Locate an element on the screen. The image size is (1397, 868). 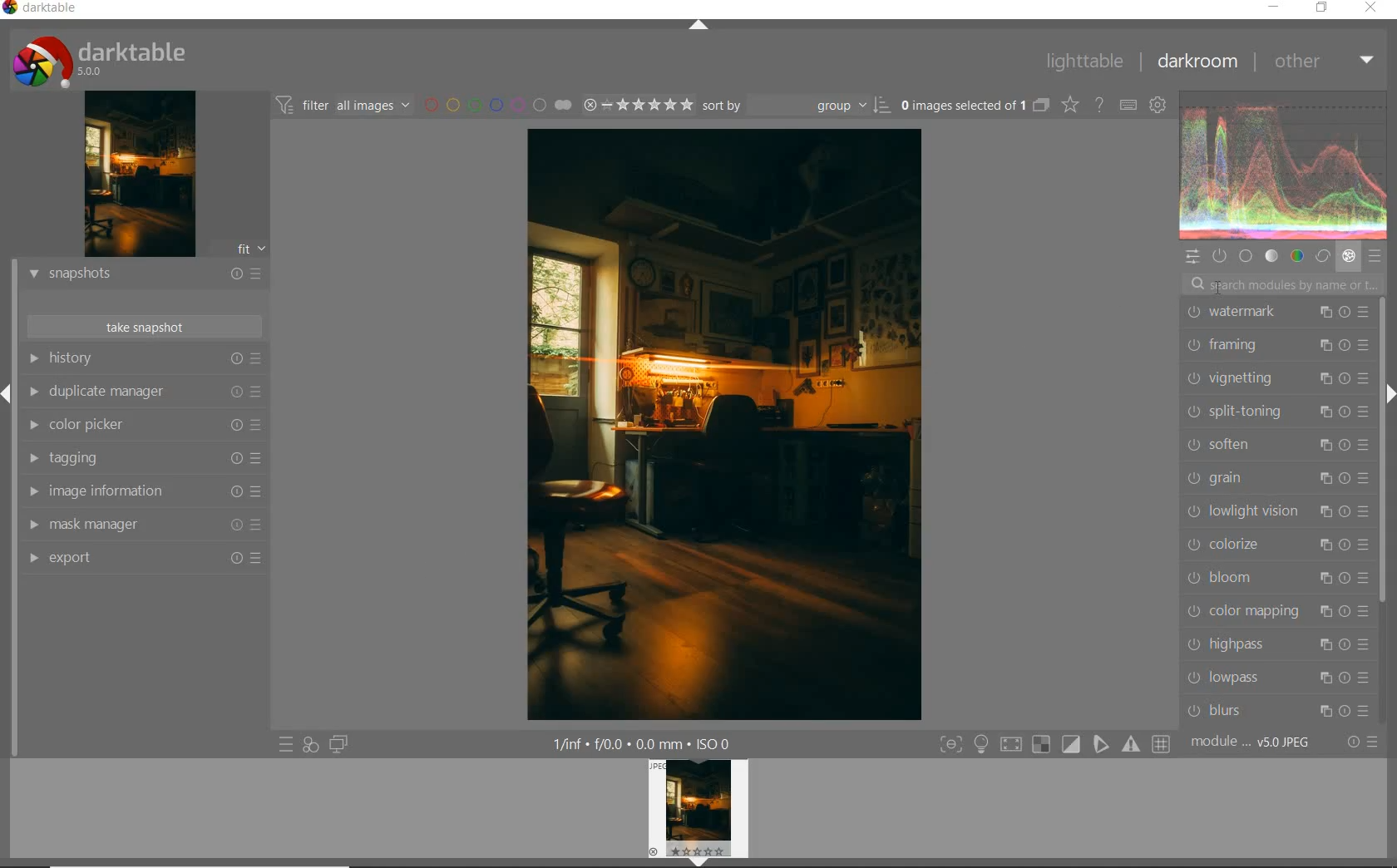
show global preferences is located at coordinates (1157, 106).